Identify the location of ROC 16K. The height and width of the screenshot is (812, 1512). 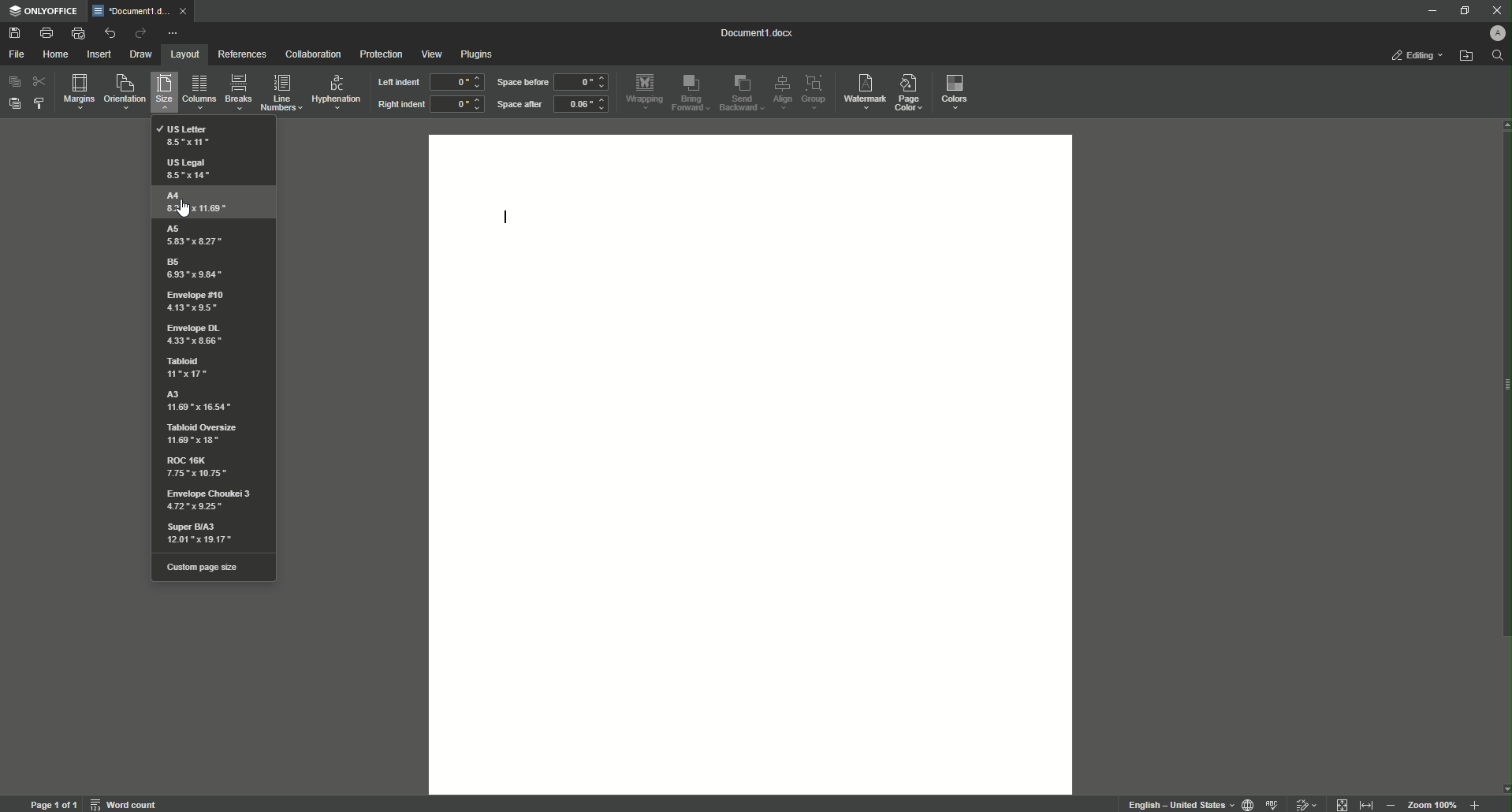
(196, 469).